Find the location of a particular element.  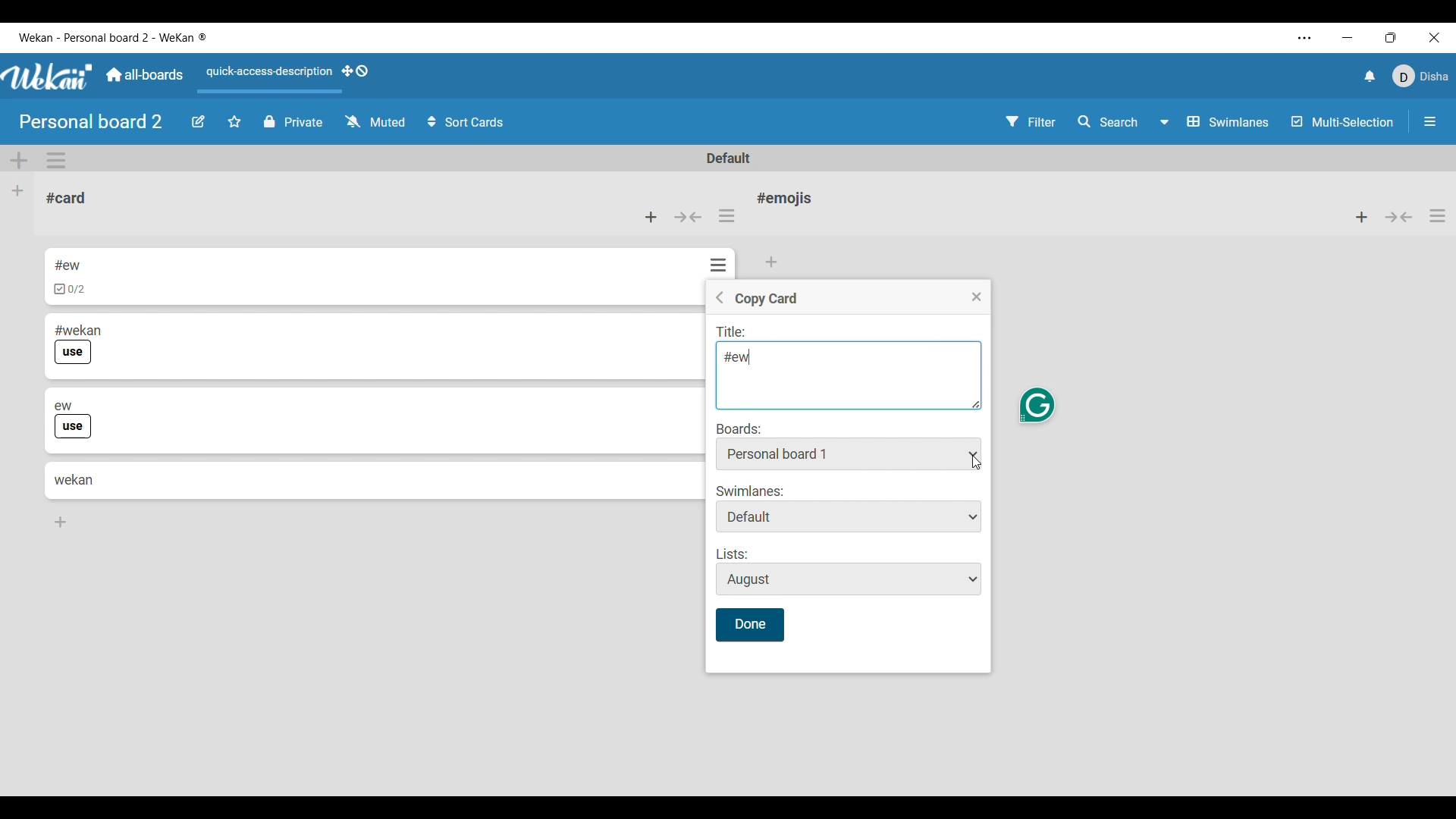

Show interface in a smaller tab is located at coordinates (1391, 37).